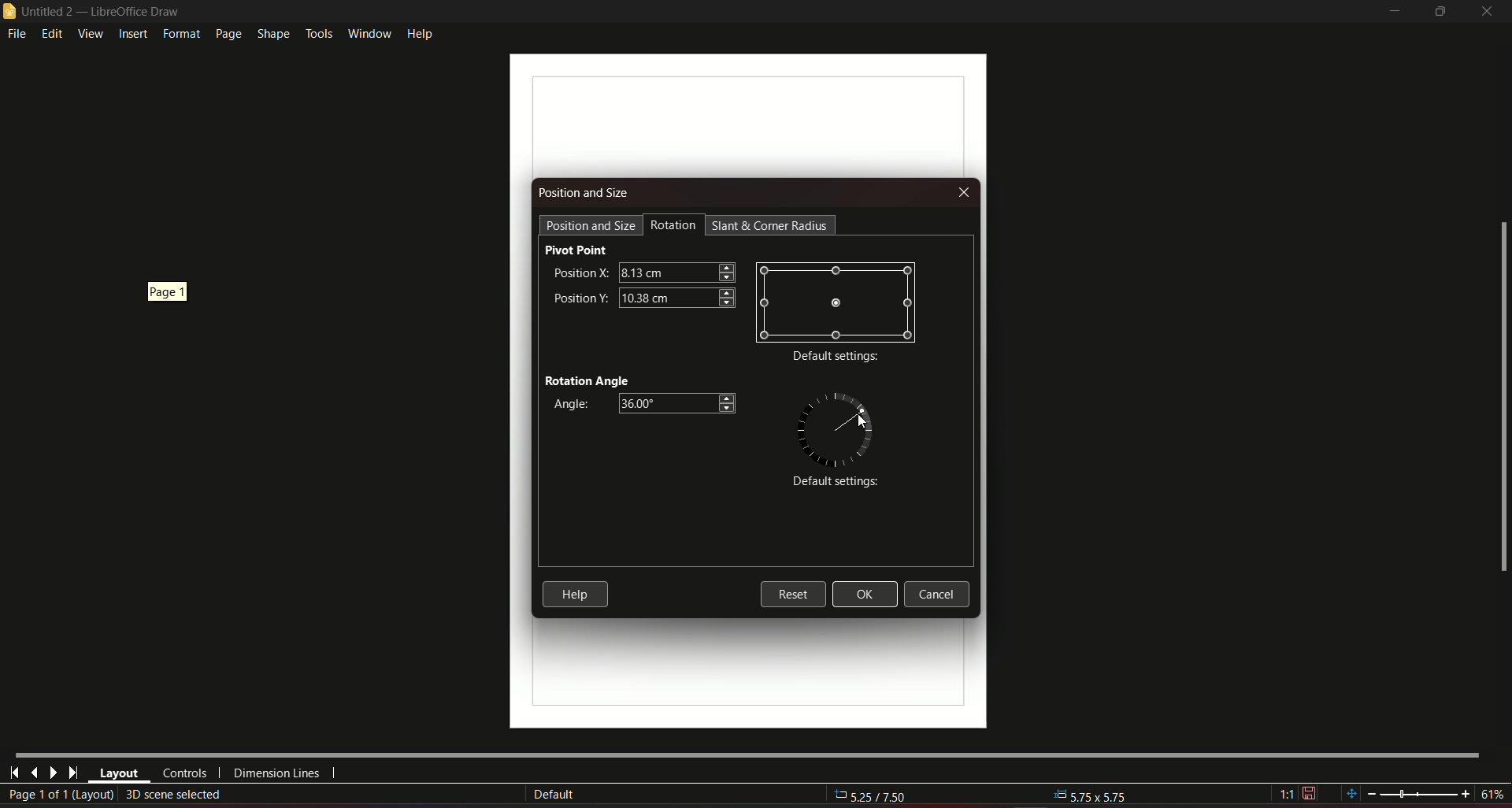 The width and height of the screenshot is (1512, 808). Describe the element at coordinates (680, 403) in the screenshot. I see `textbox` at that location.